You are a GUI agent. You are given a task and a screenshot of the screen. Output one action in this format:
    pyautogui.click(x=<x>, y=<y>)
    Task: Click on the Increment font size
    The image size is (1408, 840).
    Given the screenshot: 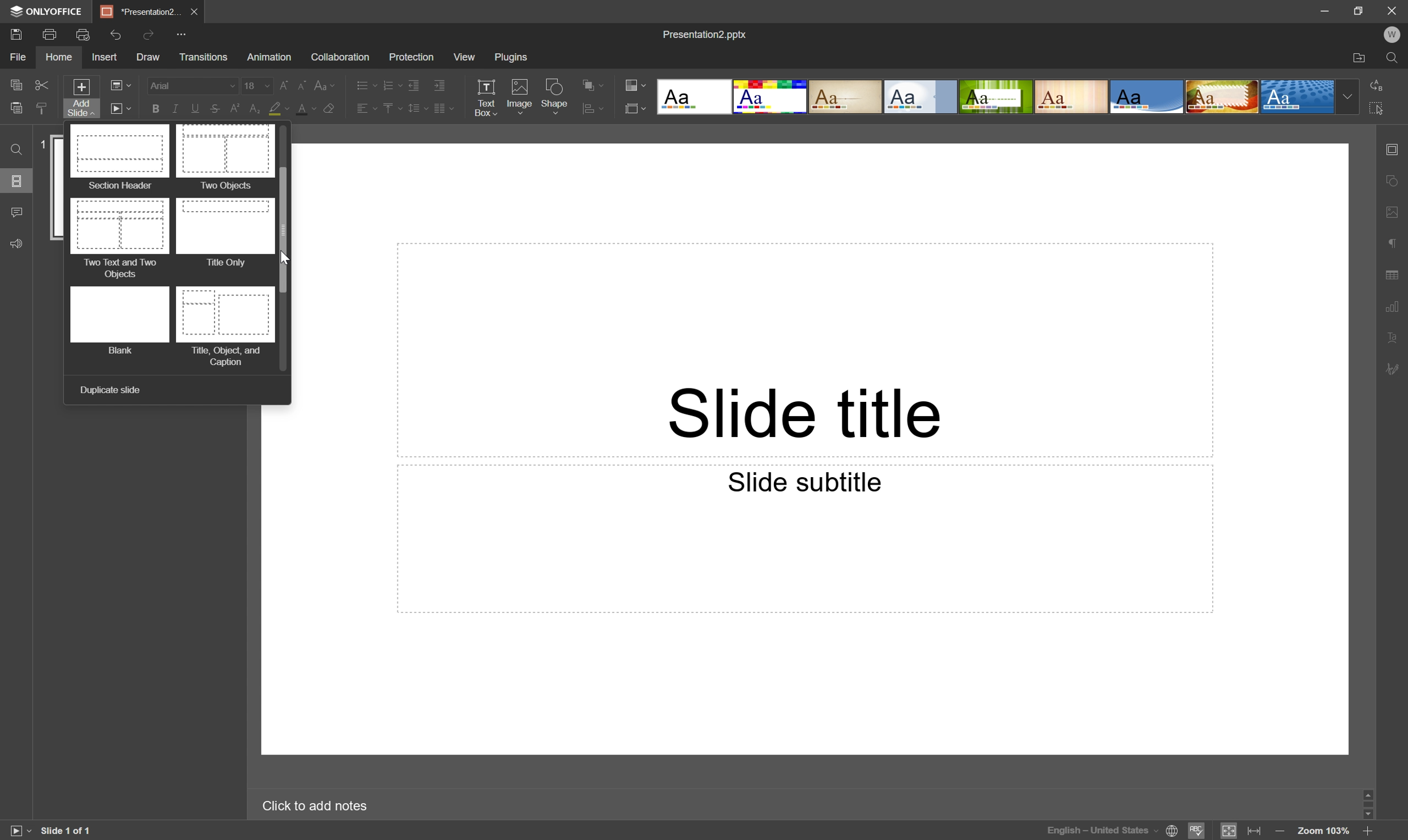 What is the action you would take?
    pyautogui.click(x=281, y=83)
    